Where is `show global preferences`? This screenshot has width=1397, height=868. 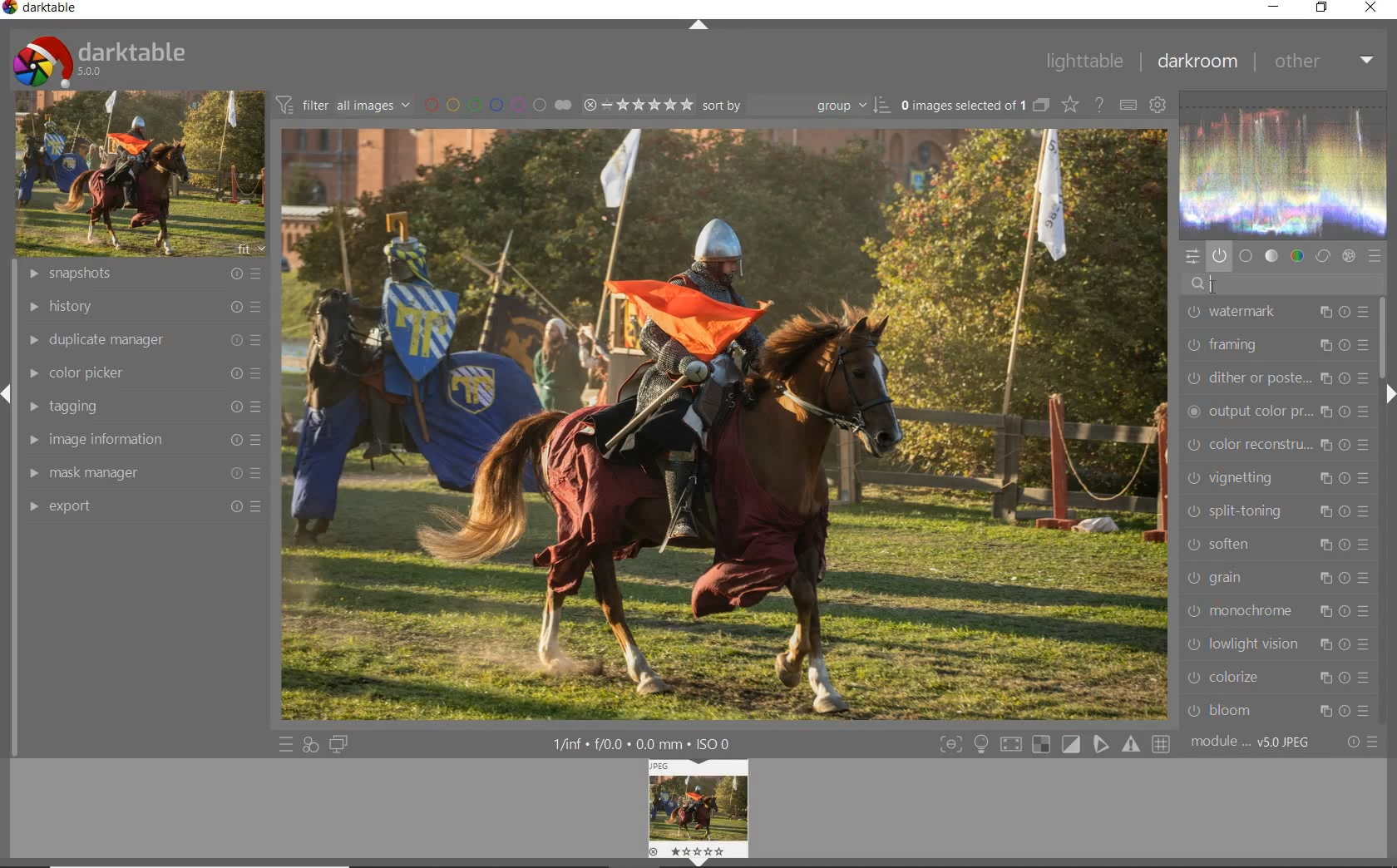 show global preferences is located at coordinates (1158, 107).